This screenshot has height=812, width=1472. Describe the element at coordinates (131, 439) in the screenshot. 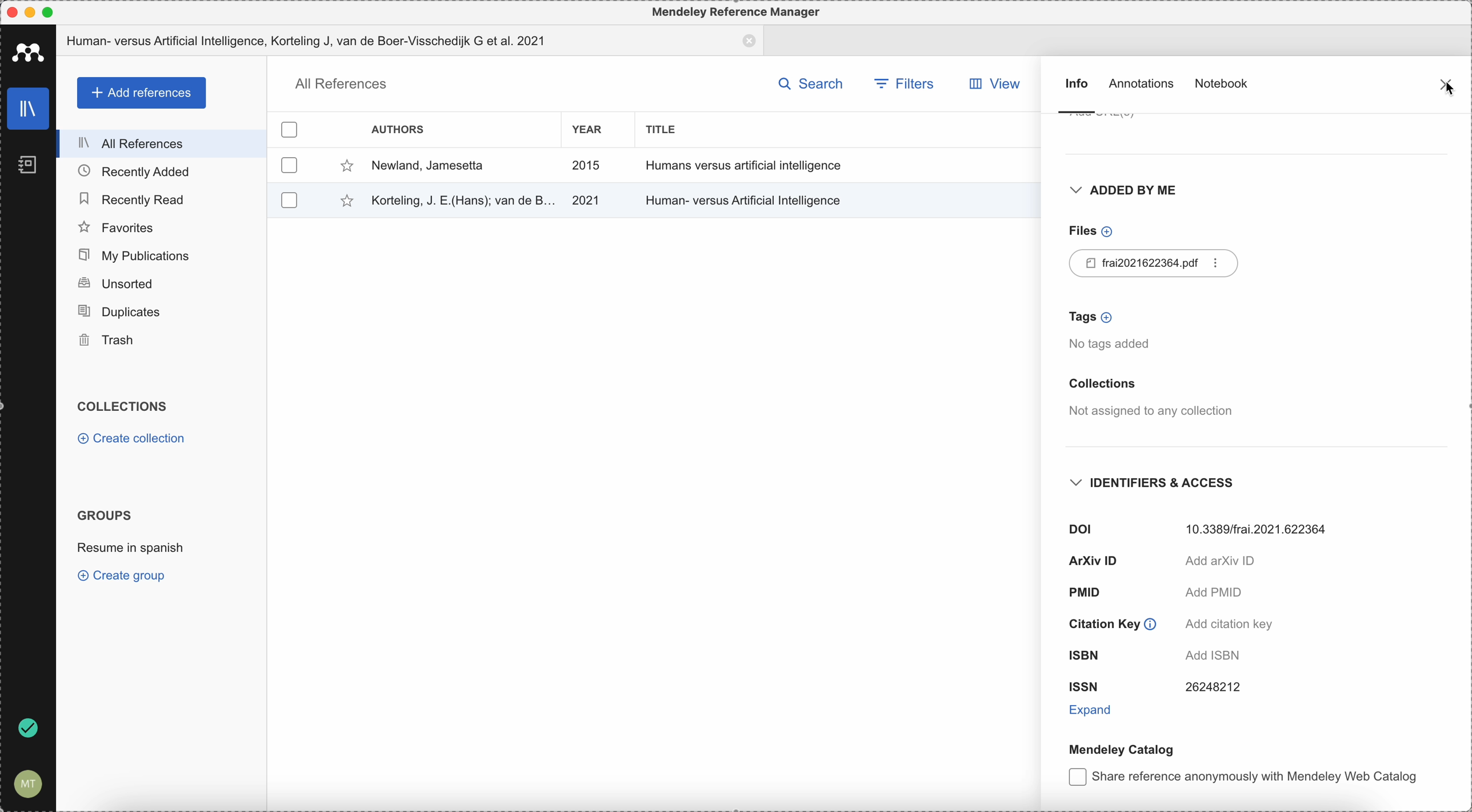

I see `create collection` at that location.